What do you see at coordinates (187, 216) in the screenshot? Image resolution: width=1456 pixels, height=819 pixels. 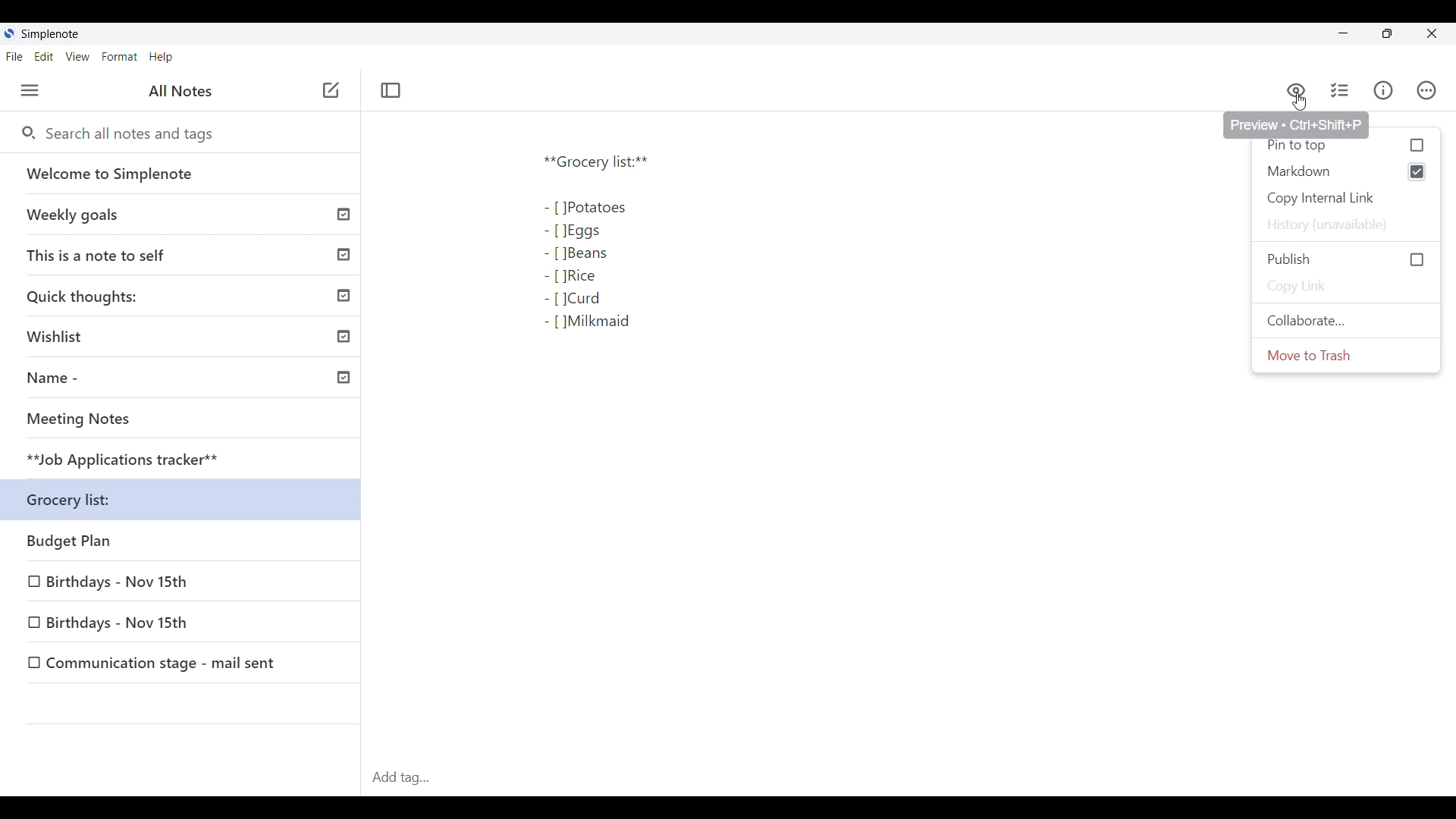 I see `Weekly goals` at bounding box center [187, 216].